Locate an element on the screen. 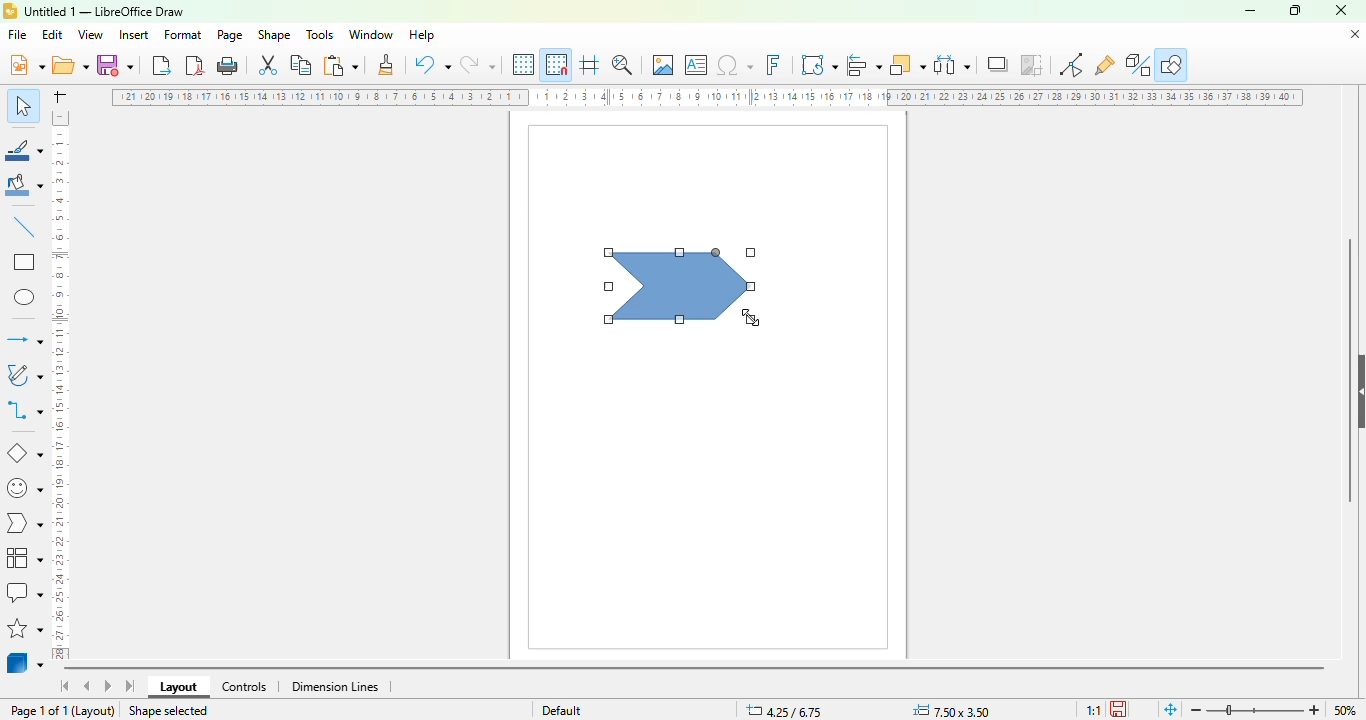  cut is located at coordinates (268, 65).